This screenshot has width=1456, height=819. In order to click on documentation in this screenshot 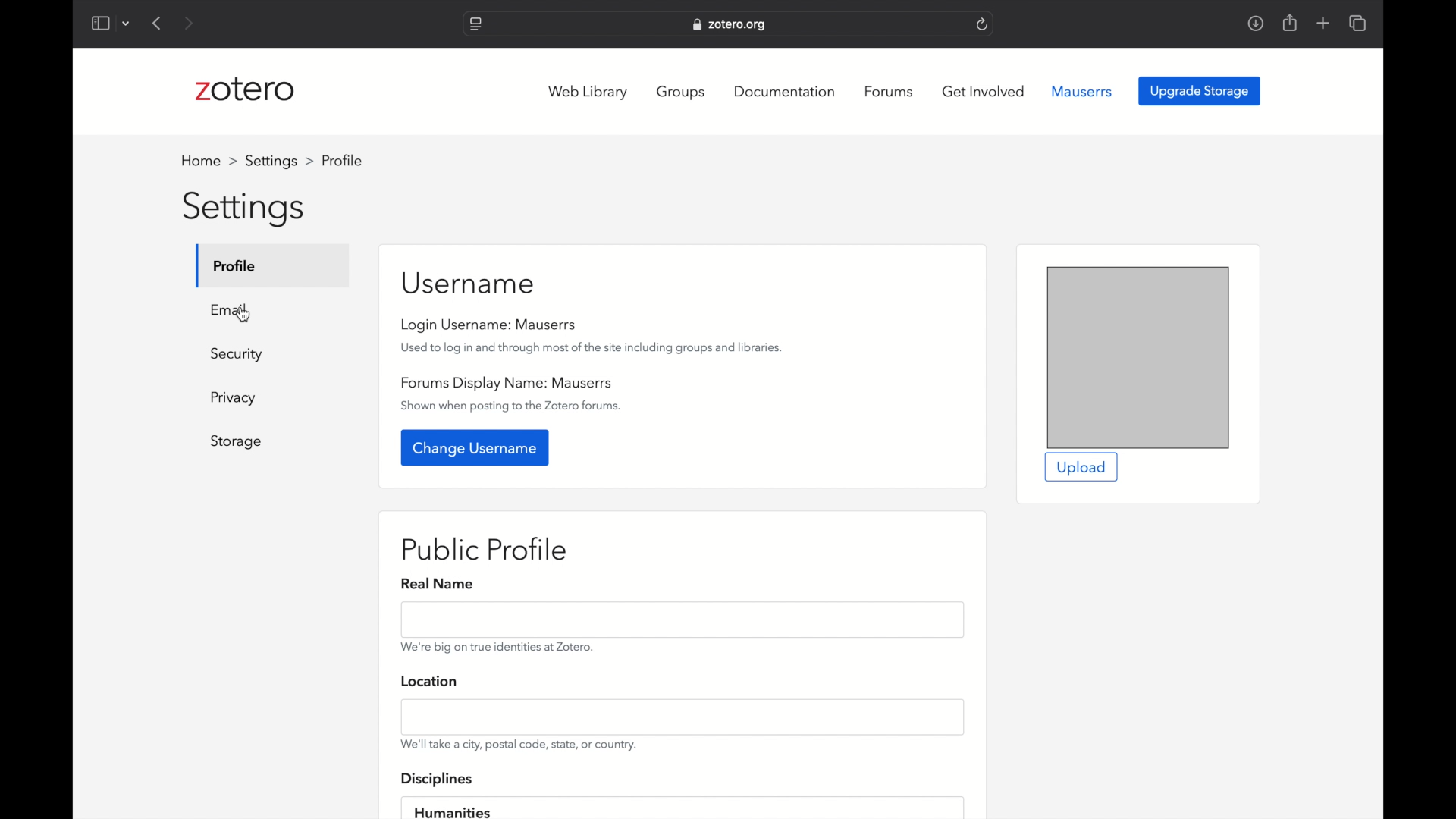, I will do `click(786, 90)`.